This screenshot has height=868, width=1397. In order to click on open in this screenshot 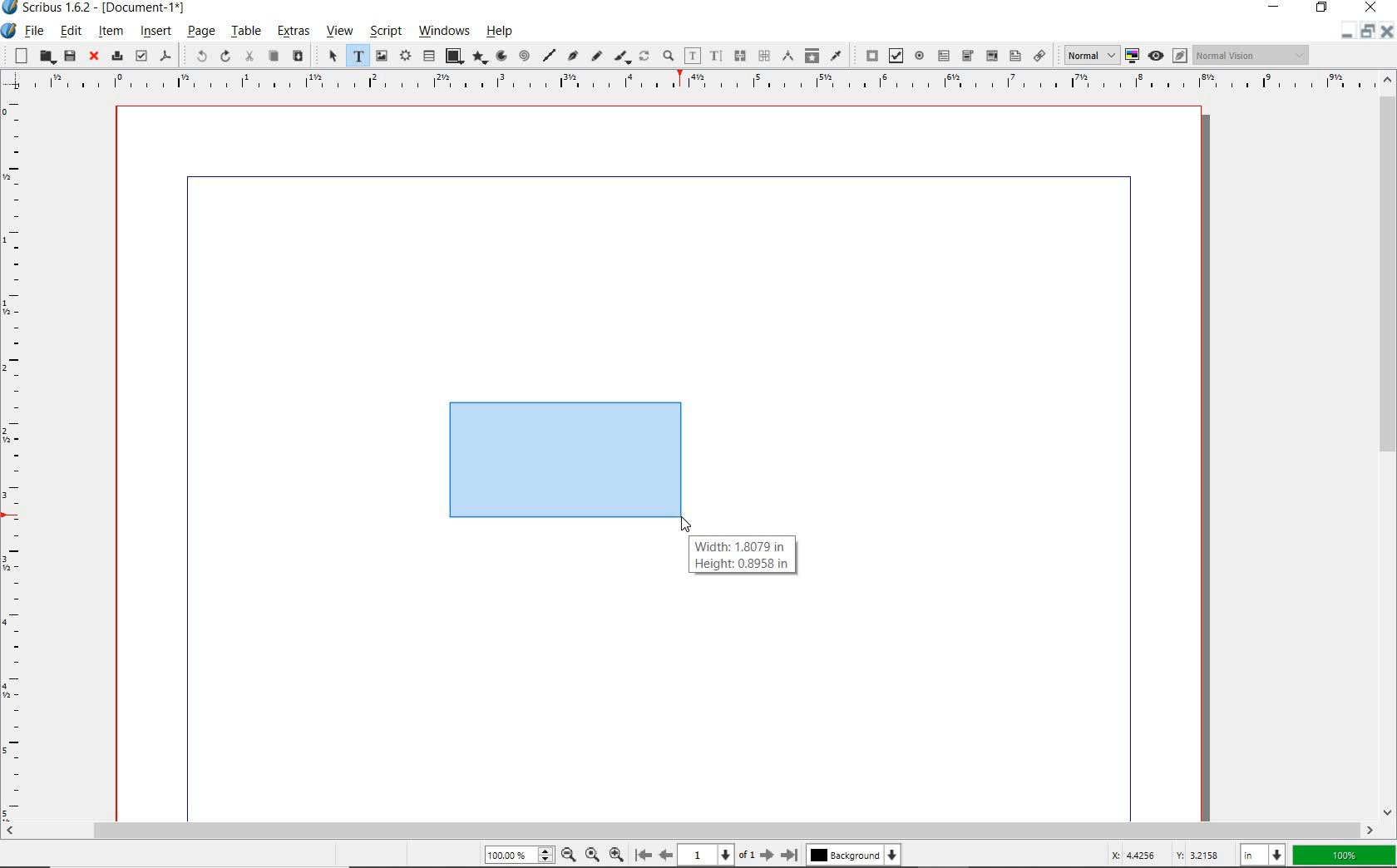, I will do `click(45, 57)`.